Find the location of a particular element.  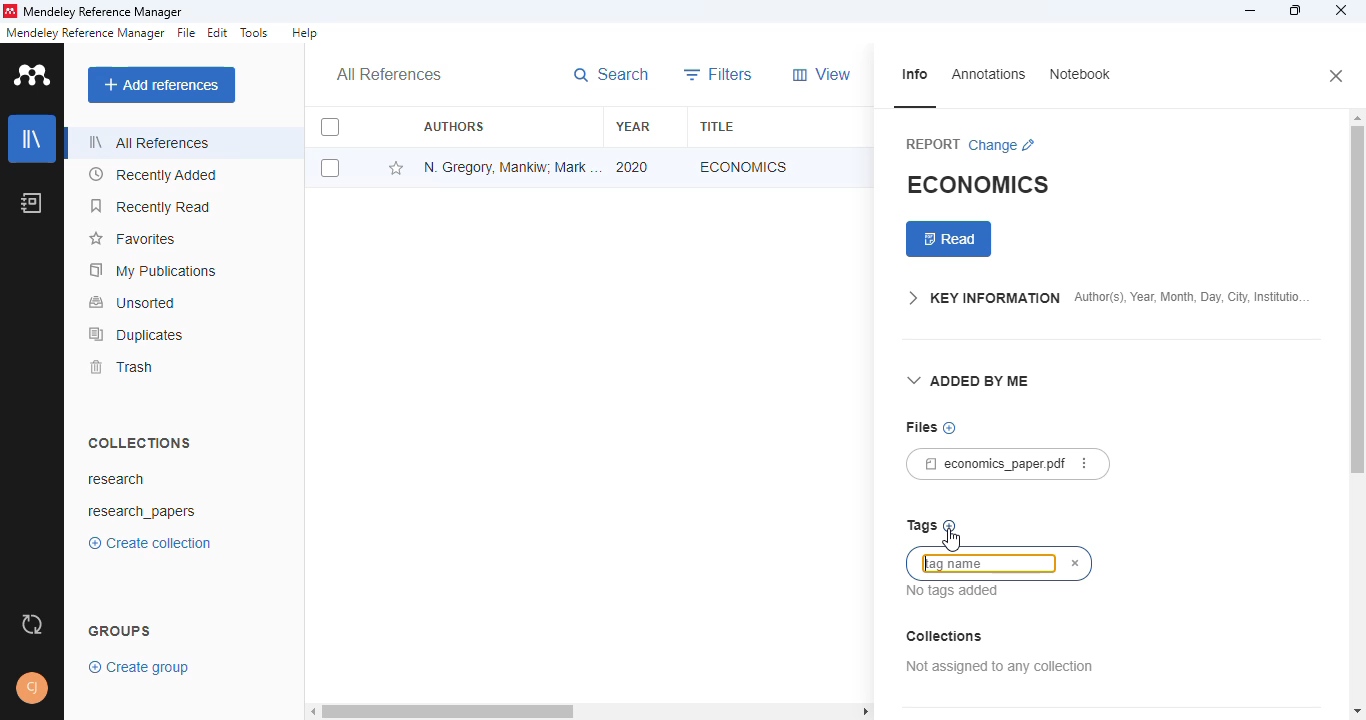

collections is located at coordinates (140, 444).